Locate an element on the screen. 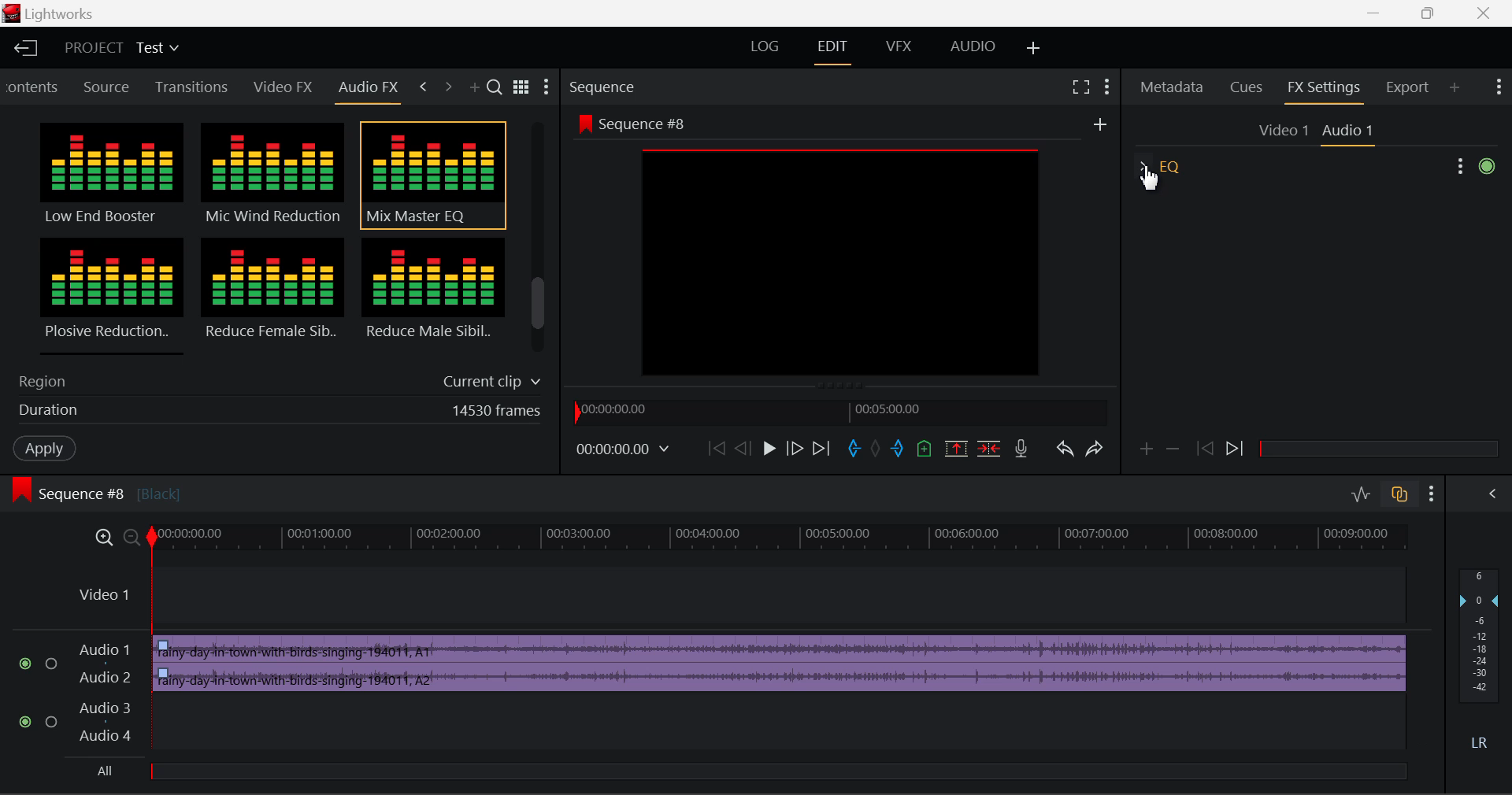 The height and width of the screenshot is (795, 1512). To Start is located at coordinates (715, 449).